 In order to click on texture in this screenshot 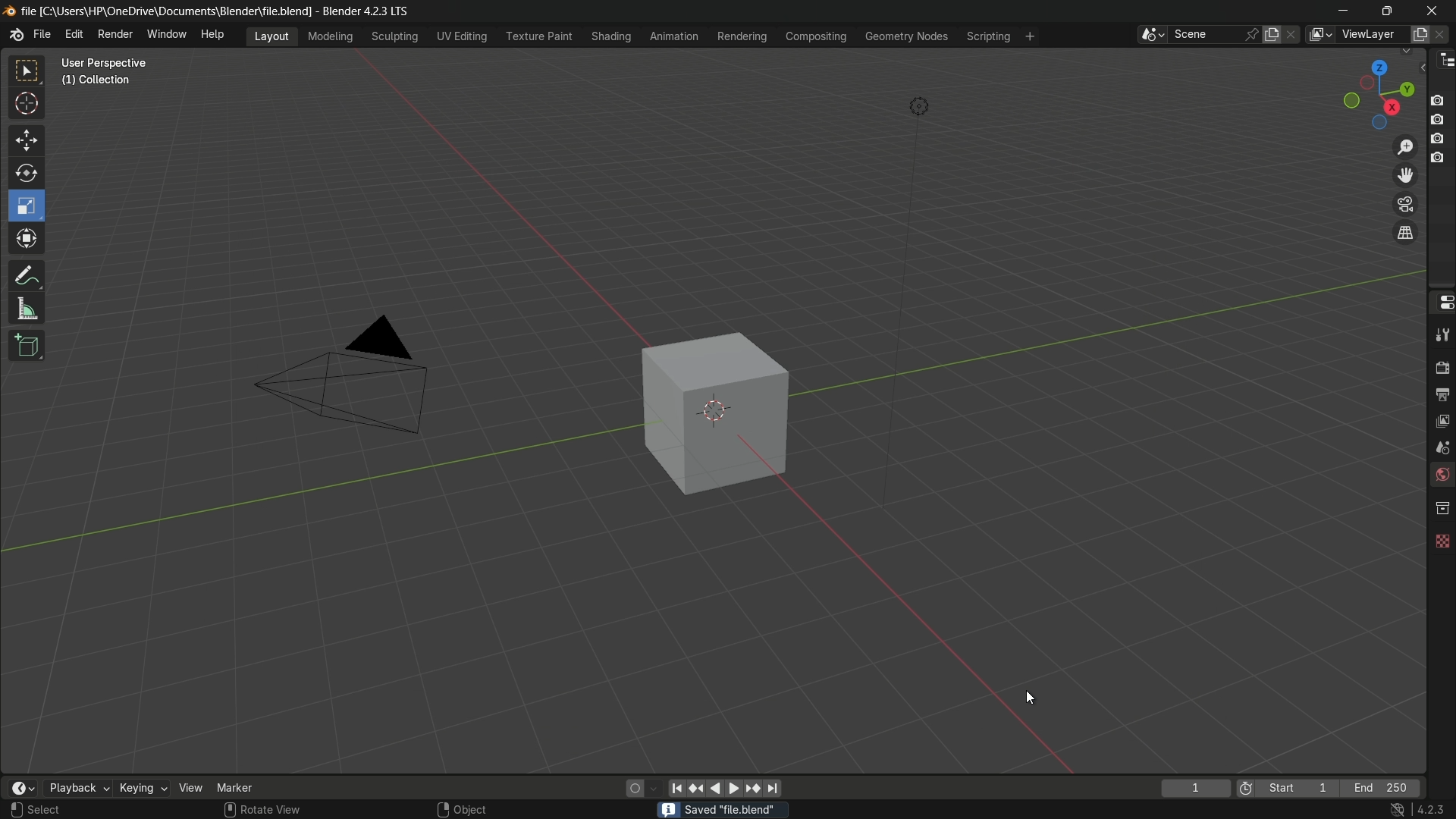, I will do `click(1441, 538)`.